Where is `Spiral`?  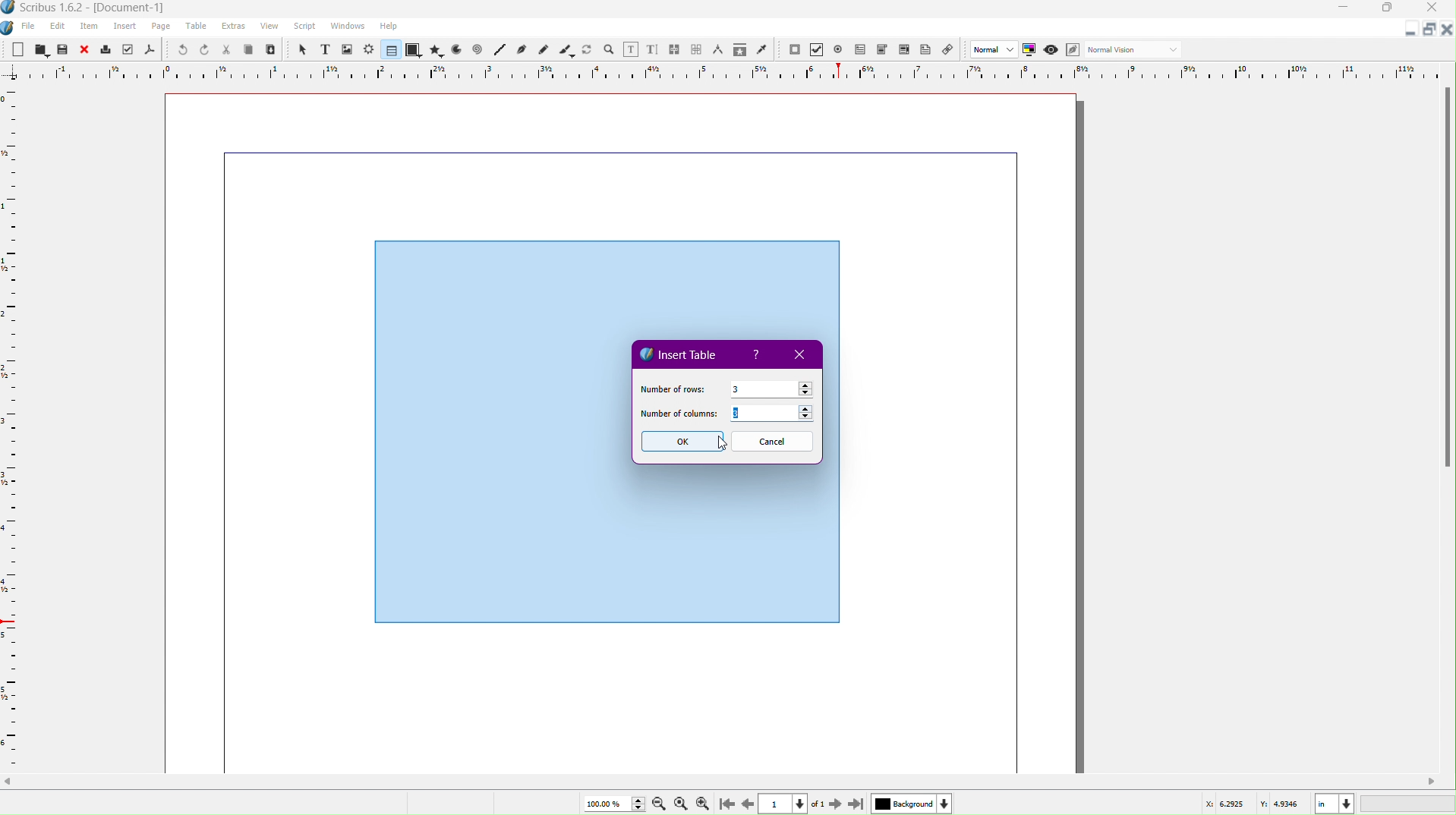
Spiral is located at coordinates (478, 51).